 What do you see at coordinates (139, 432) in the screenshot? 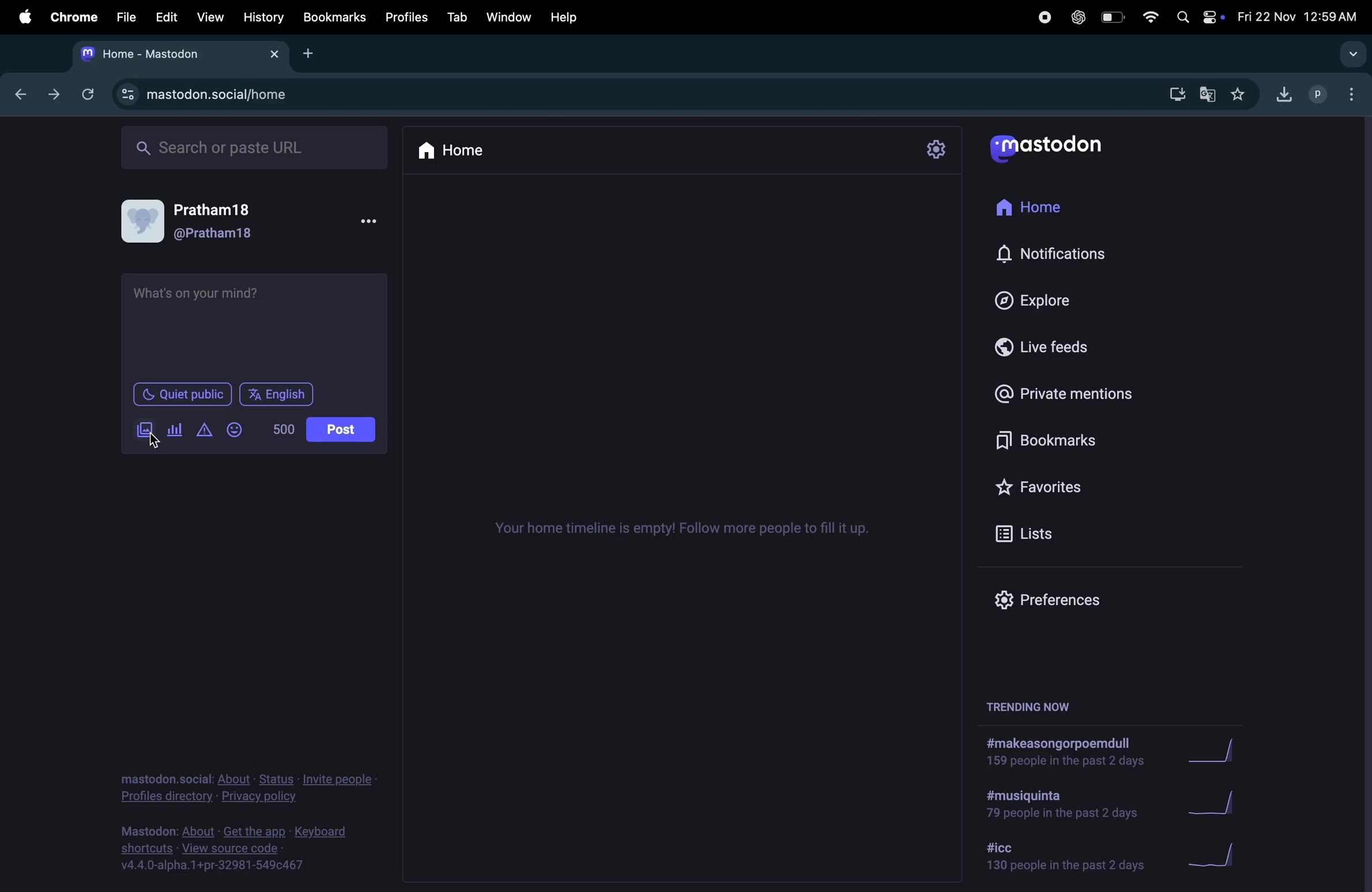
I see `add images` at bounding box center [139, 432].